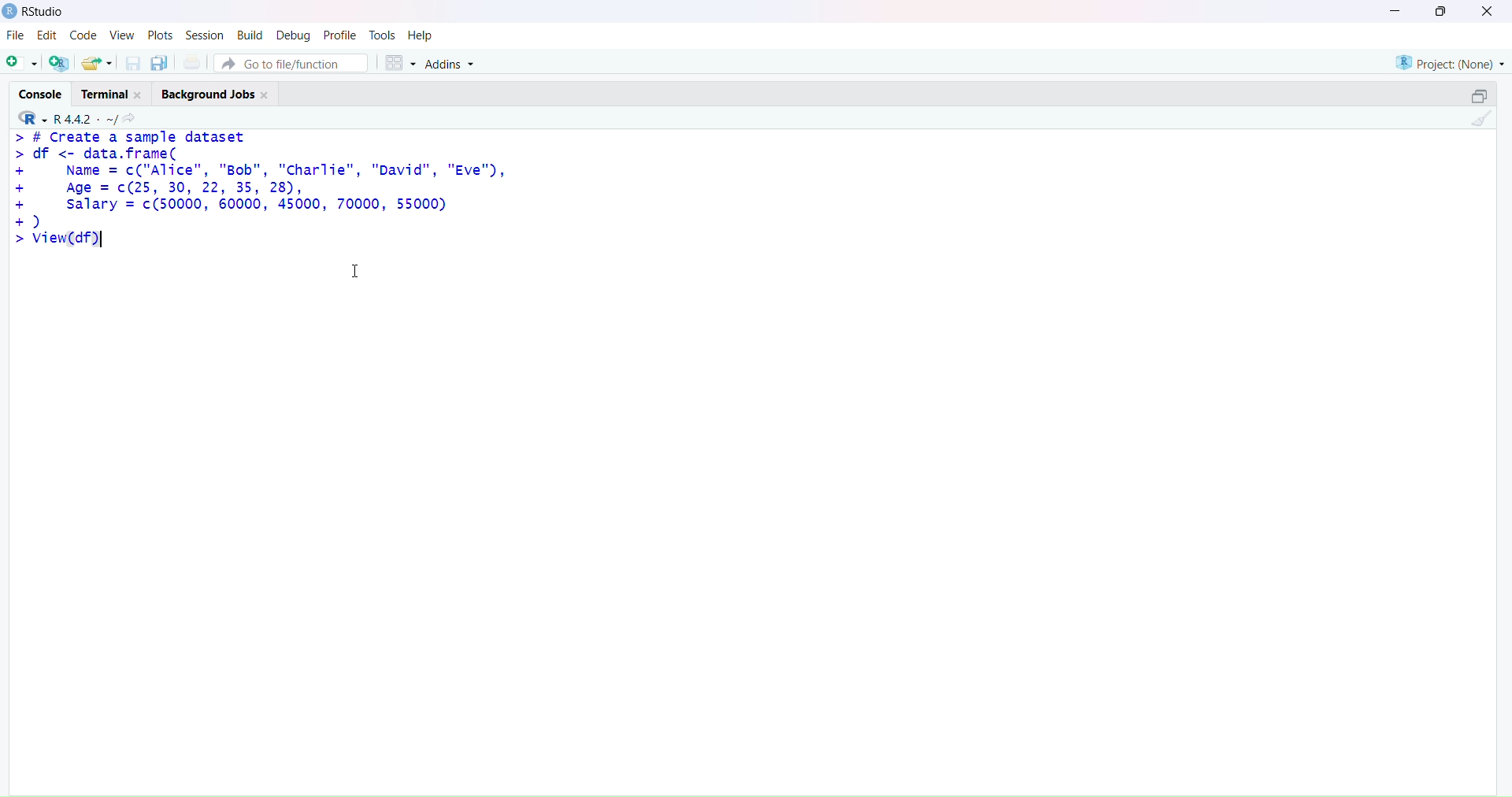  I want to click on clear console, so click(1483, 120).